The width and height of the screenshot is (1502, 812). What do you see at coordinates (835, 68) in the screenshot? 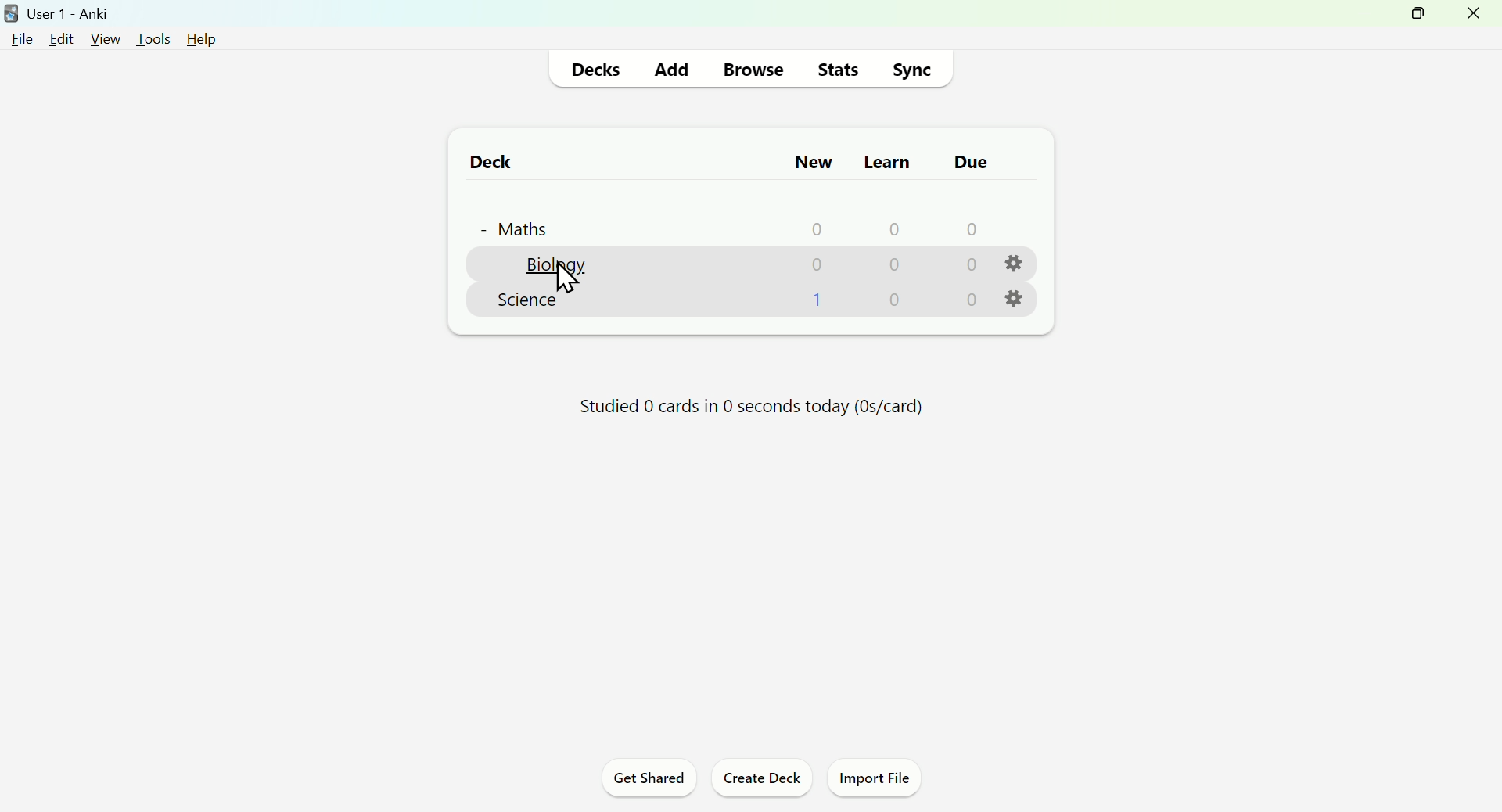
I see `Stats` at bounding box center [835, 68].